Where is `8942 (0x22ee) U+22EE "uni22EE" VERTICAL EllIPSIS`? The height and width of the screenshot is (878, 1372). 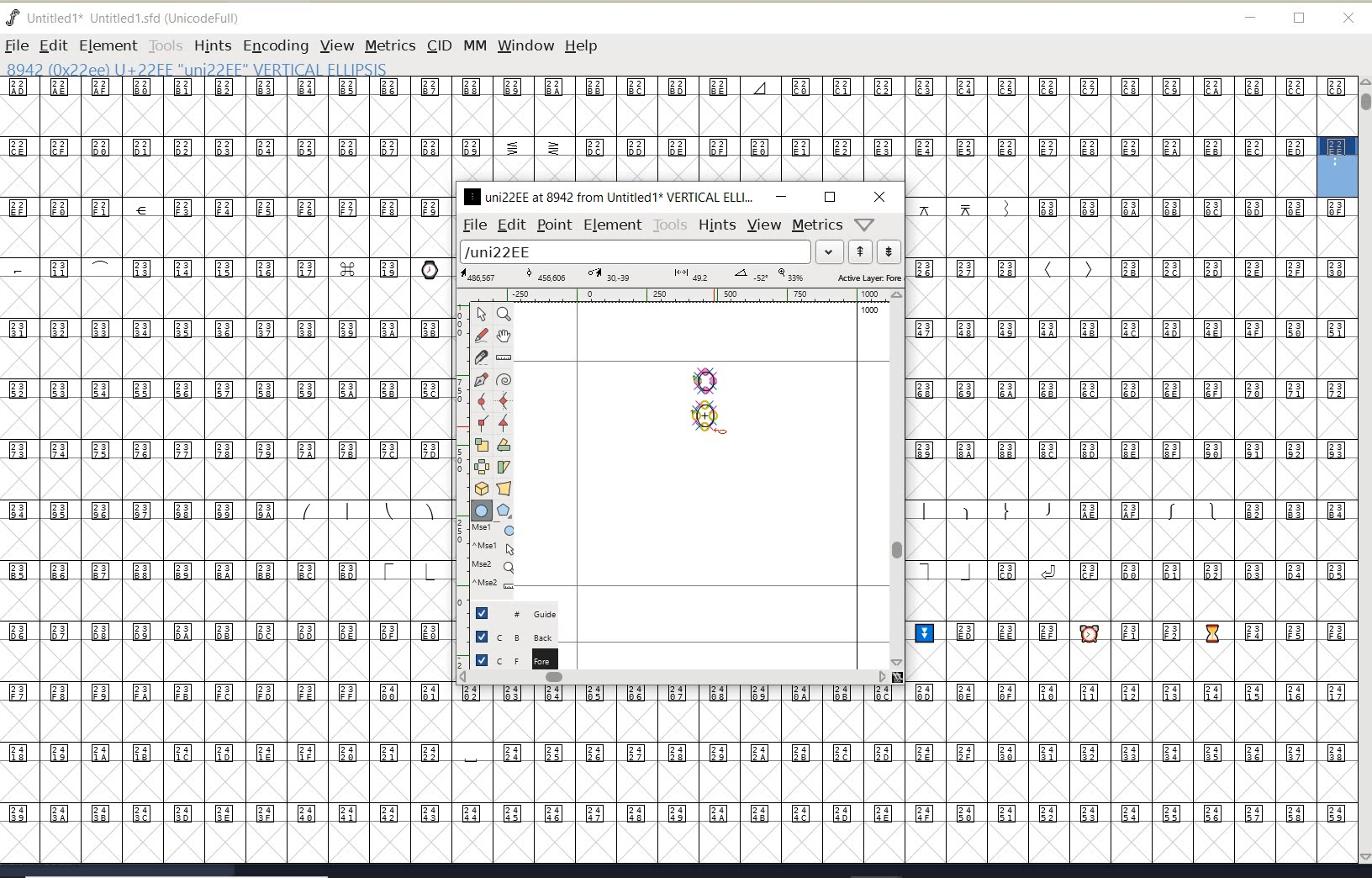 8942 (0x22ee) U+22EE "uni22EE" VERTICAL EllIPSIS is located at coordinates (252, 68).